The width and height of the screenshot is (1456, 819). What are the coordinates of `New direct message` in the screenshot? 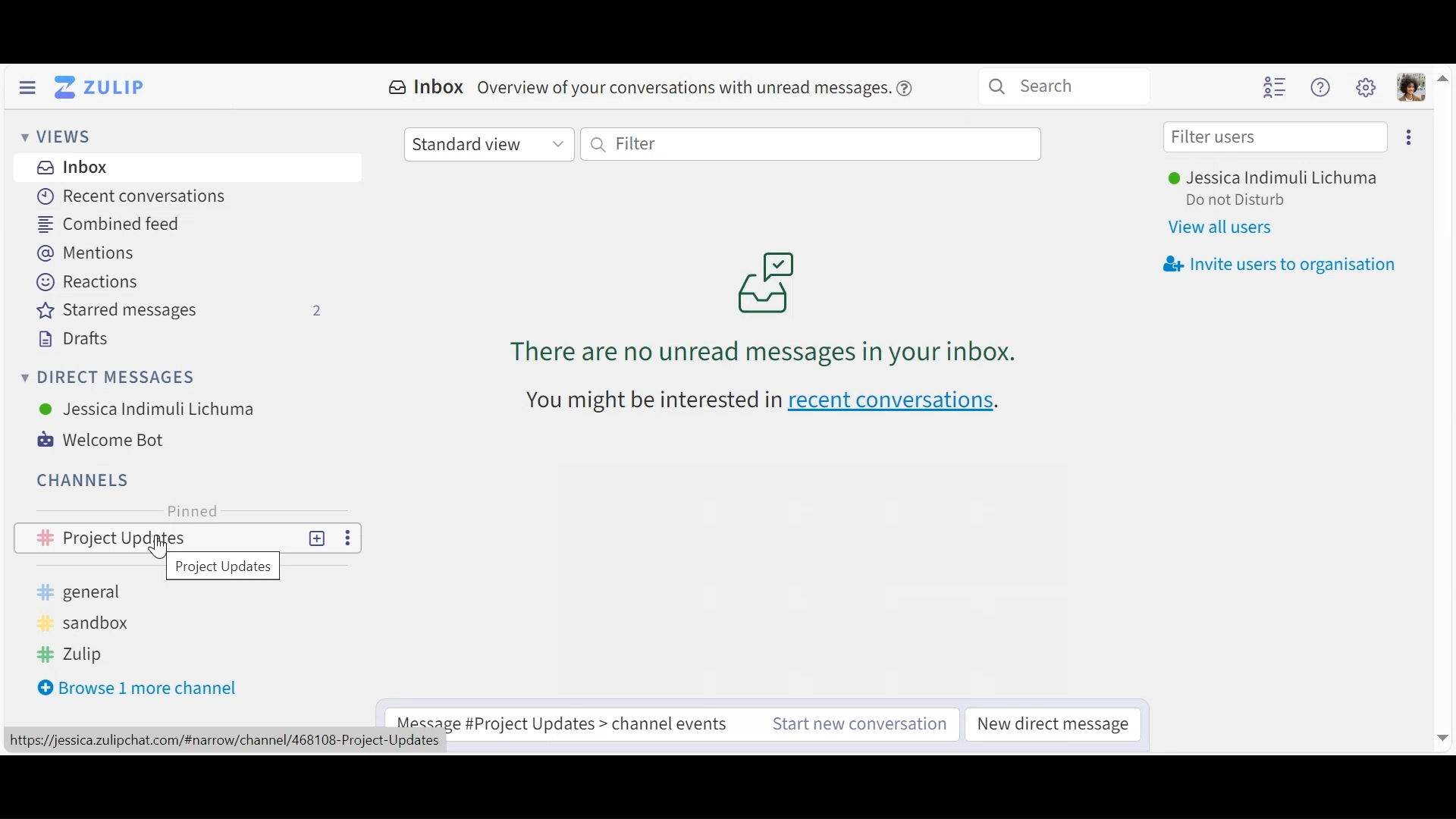 It's located at (1052, 726).